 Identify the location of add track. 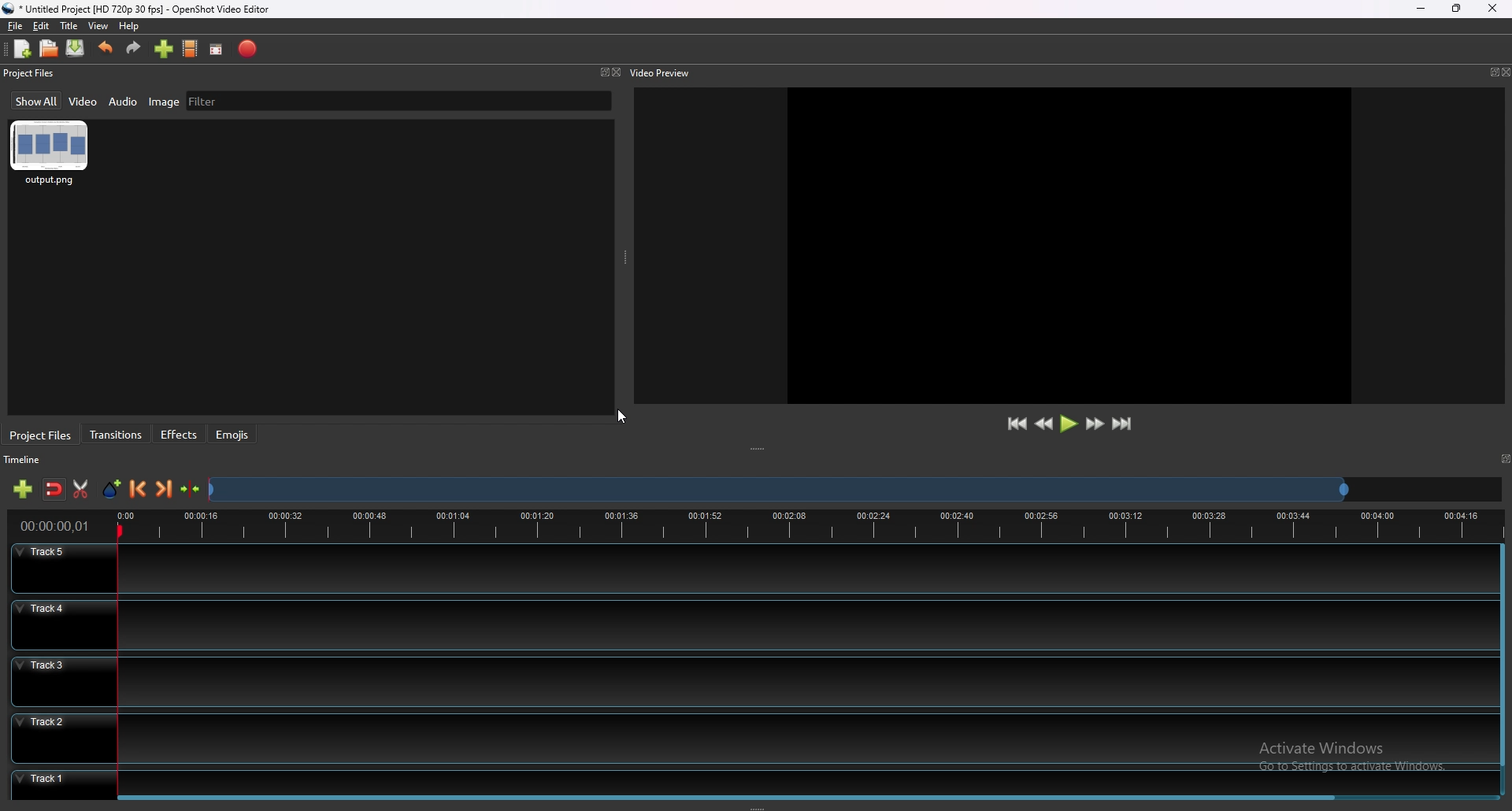
(23, 489).